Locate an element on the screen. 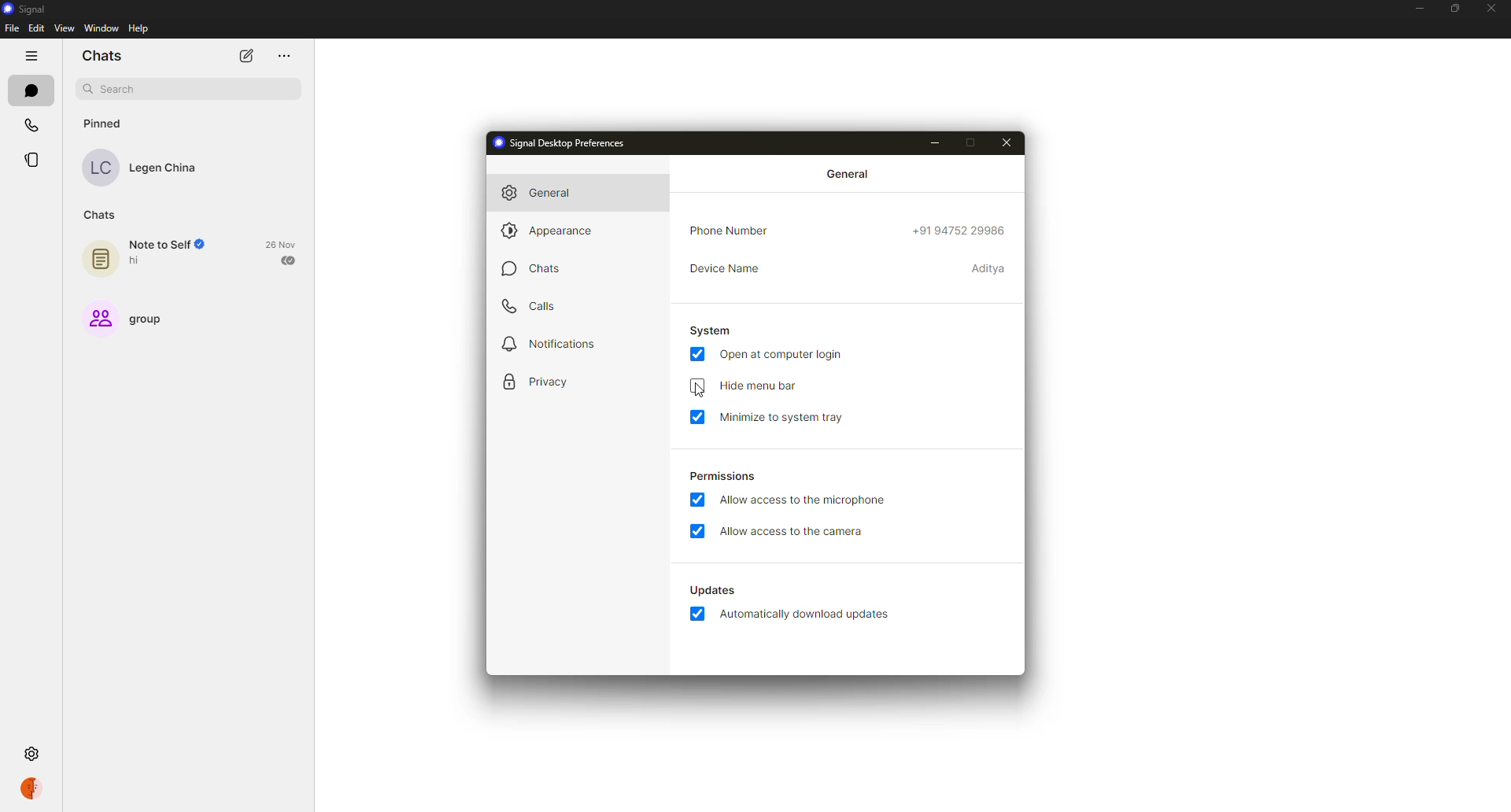 The height and width of the screenshot is (812, 1511). general is located at coordinates (539, 192).